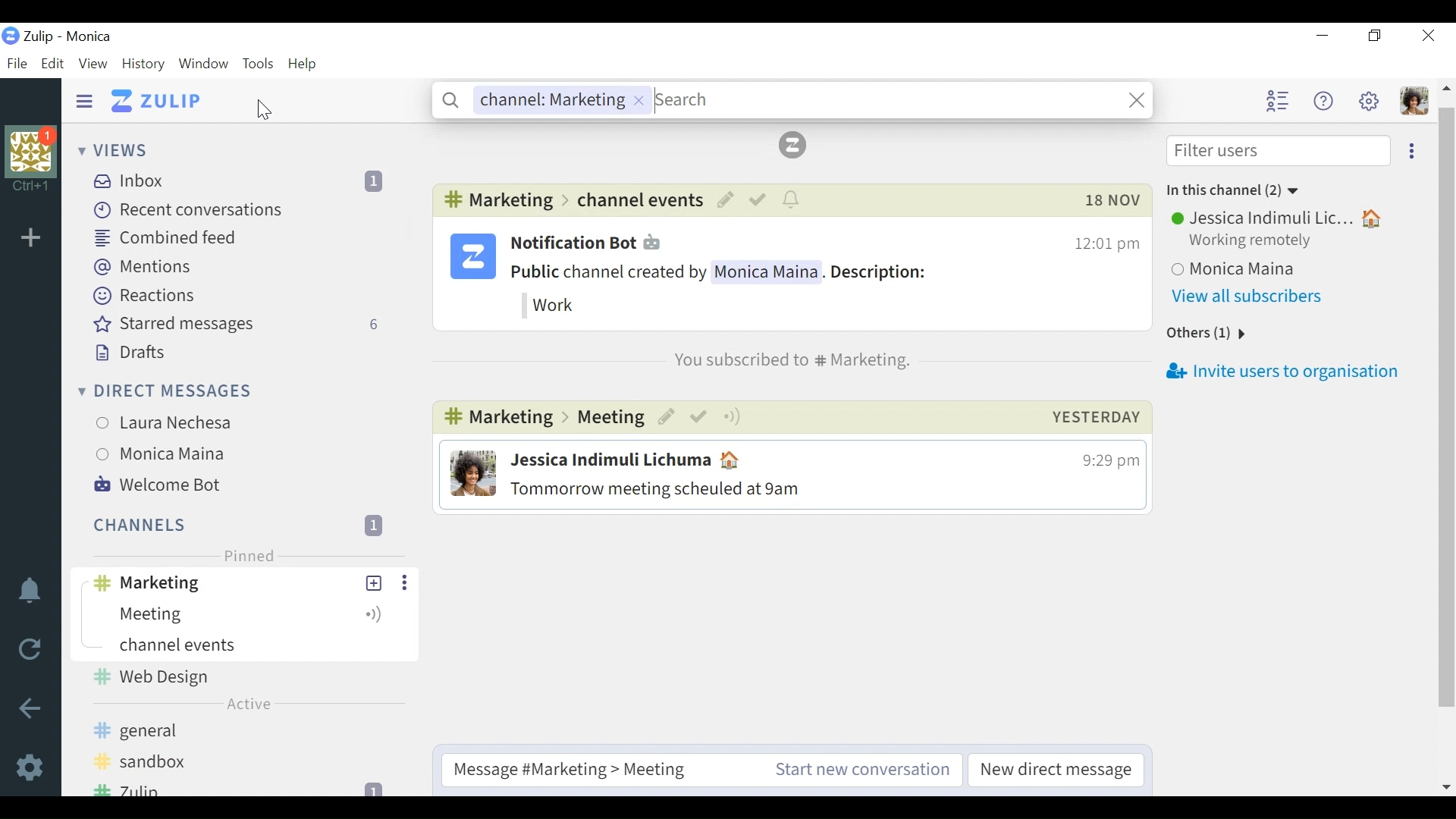  Describe the element at coordinates (1278, 102) in the screenshot. I see `Hide user list` at that location.